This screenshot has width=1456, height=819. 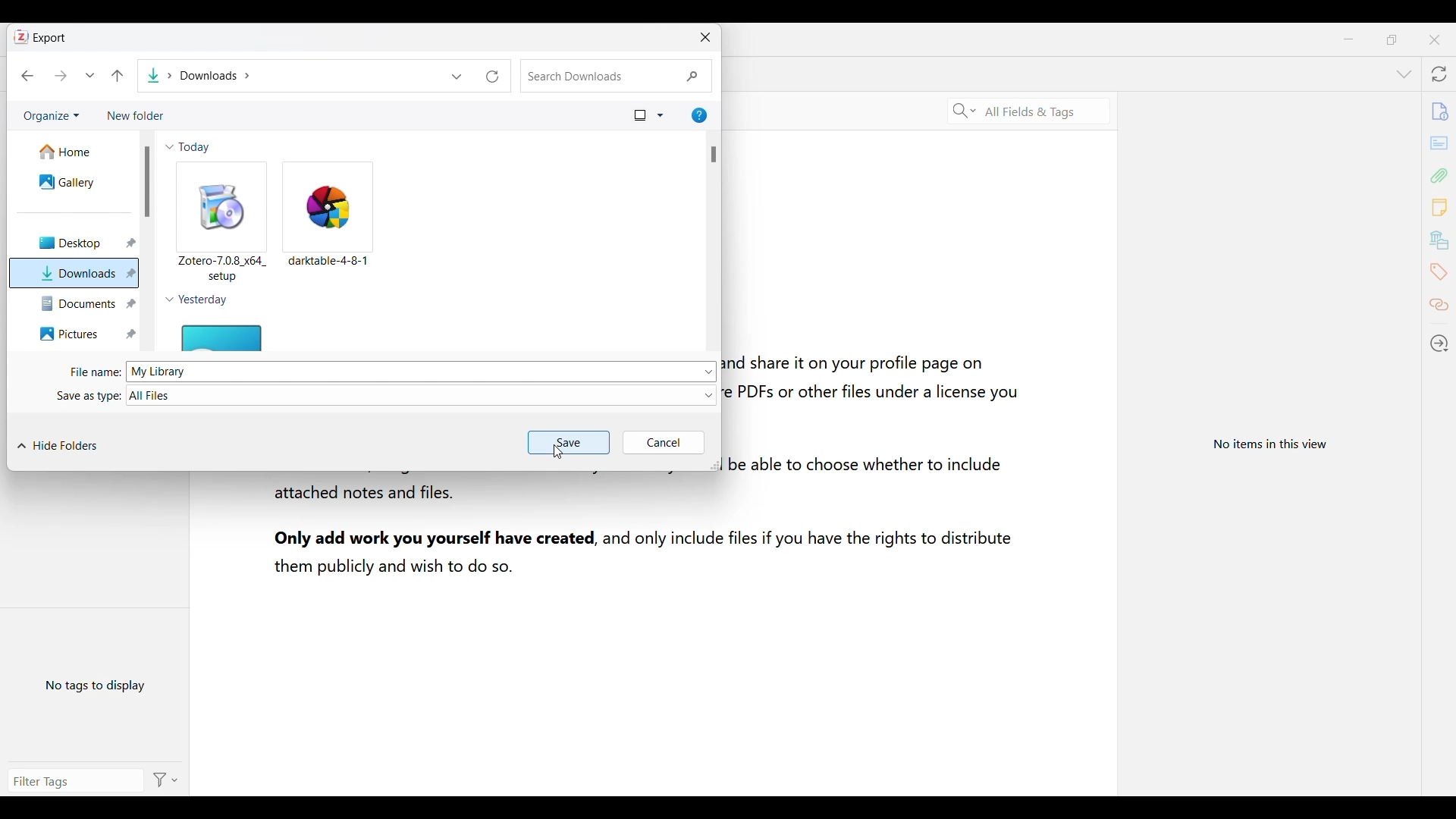 What do you see at coordinates (69, 187) in the screenshot?
I see `Gallery` at bounding box center [69, 187].